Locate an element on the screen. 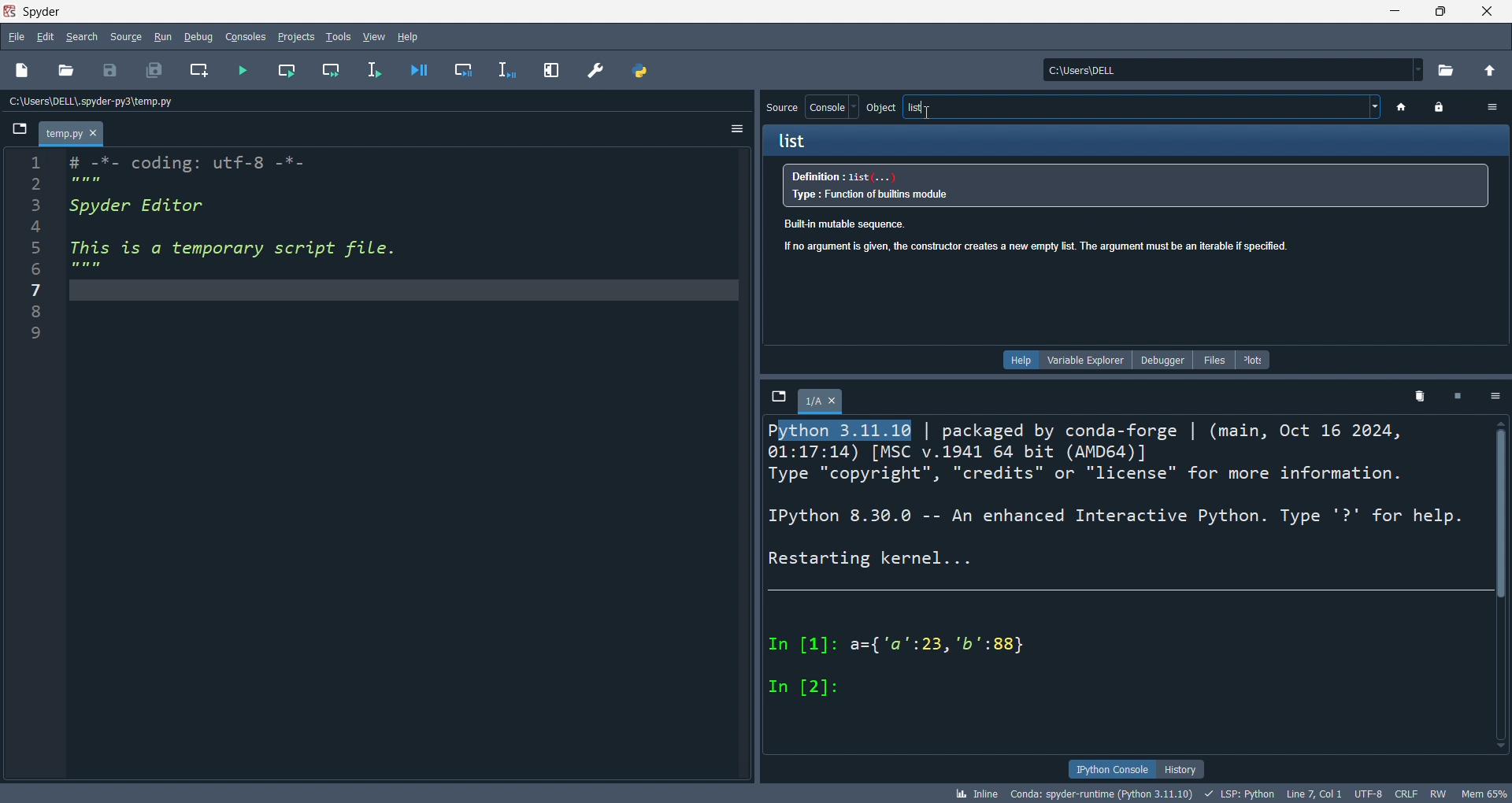 This screenshot has height=803, width=1512. help is located at coordinates (409, 35).